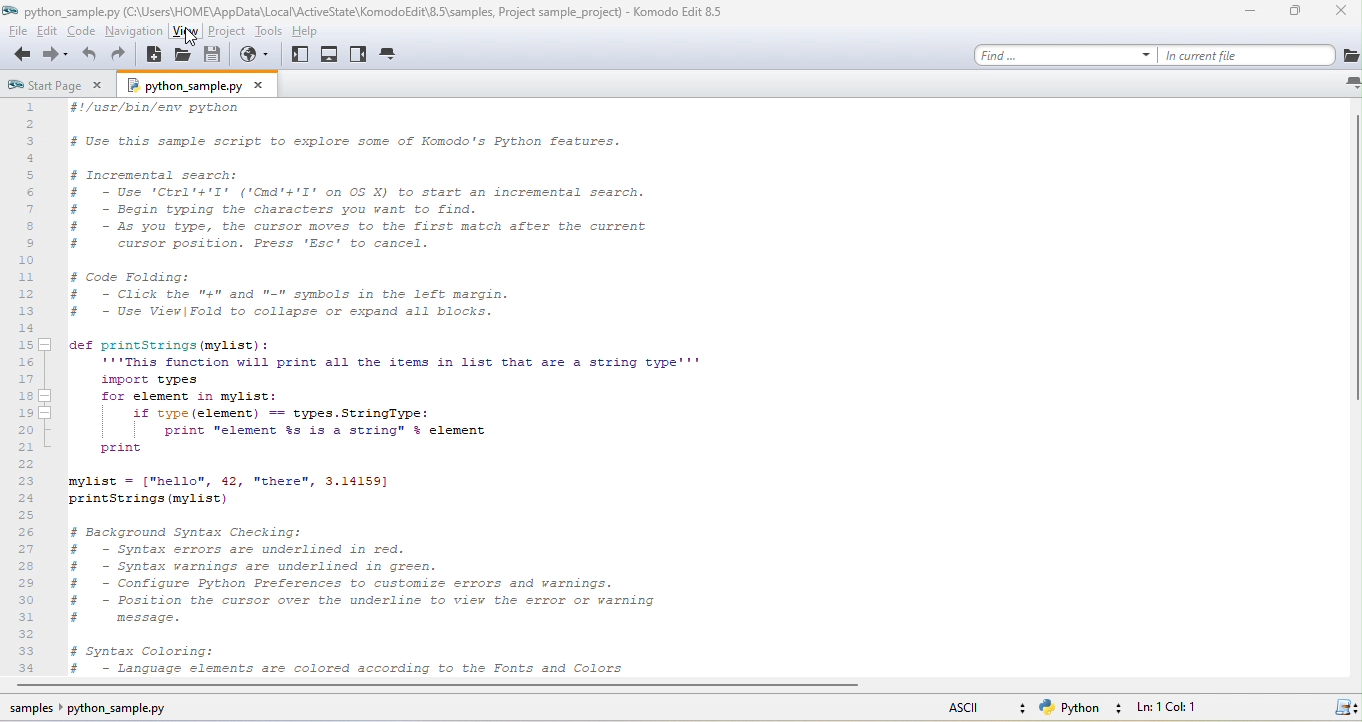 This screenshot has width=1362, height=722. I want to click on ln 1, col 1, so click(1168, 708).